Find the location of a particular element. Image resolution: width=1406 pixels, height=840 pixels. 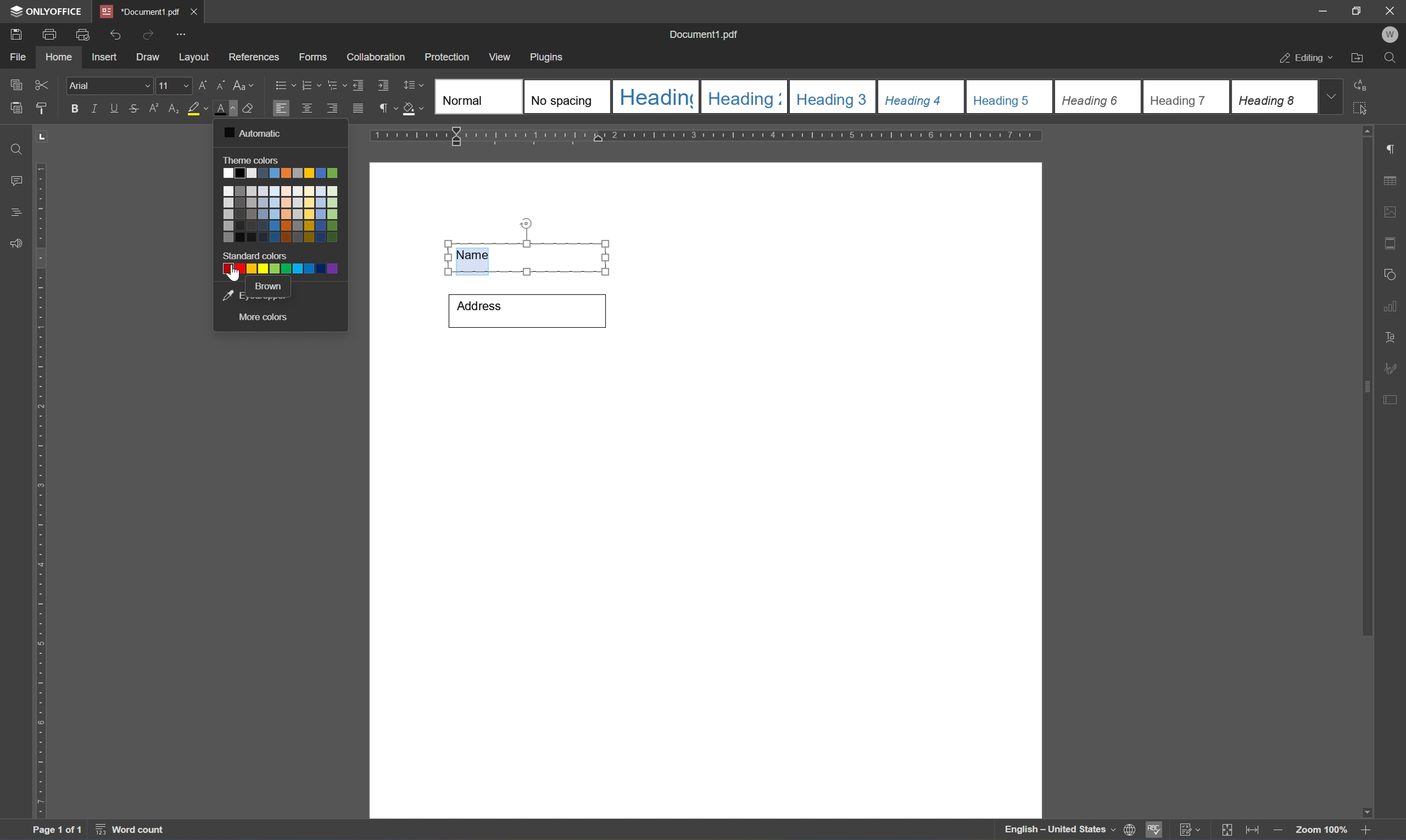

colors is located at coordinates (283, 207).